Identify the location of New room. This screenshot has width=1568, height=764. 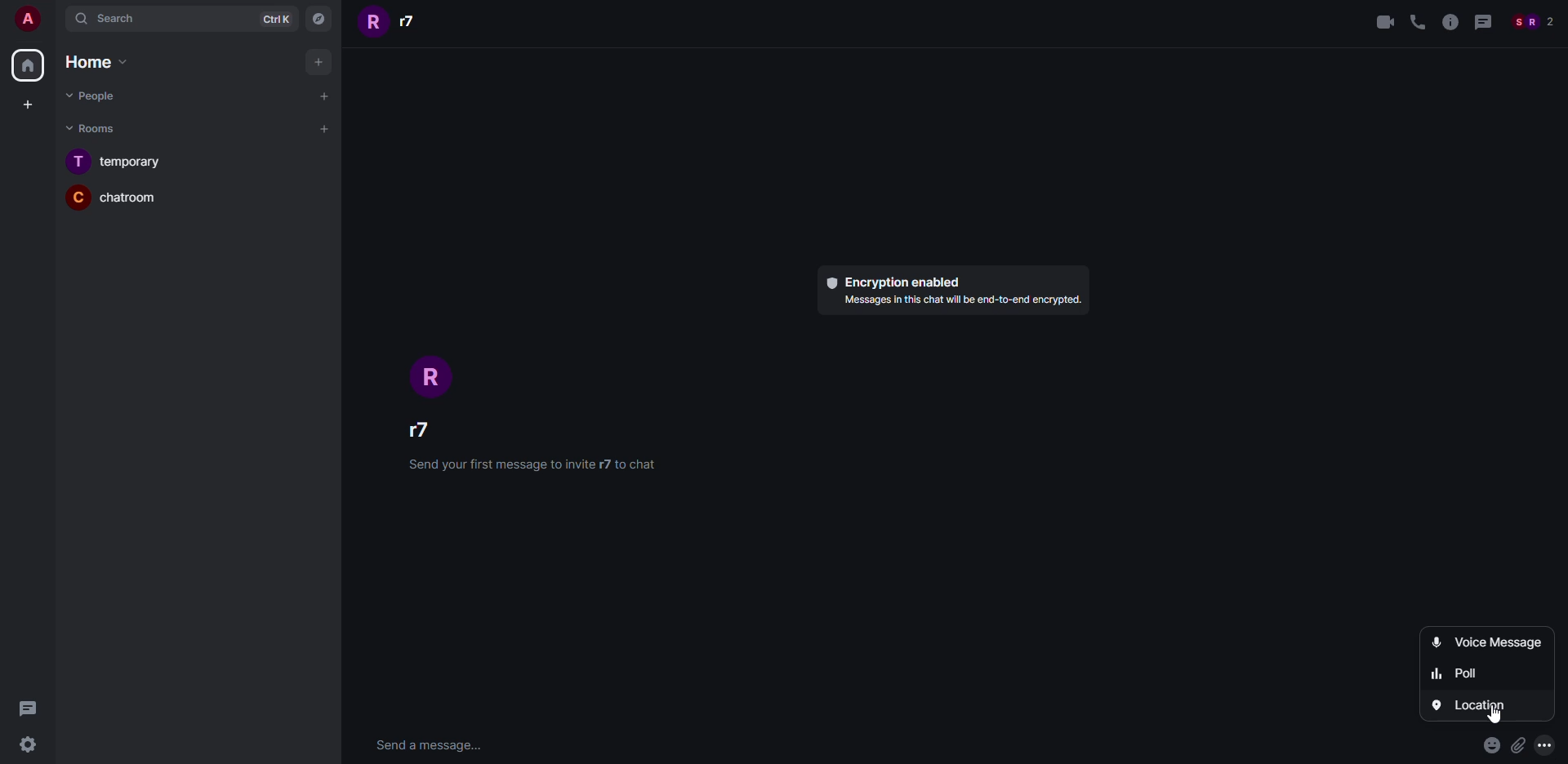
(325, 130).